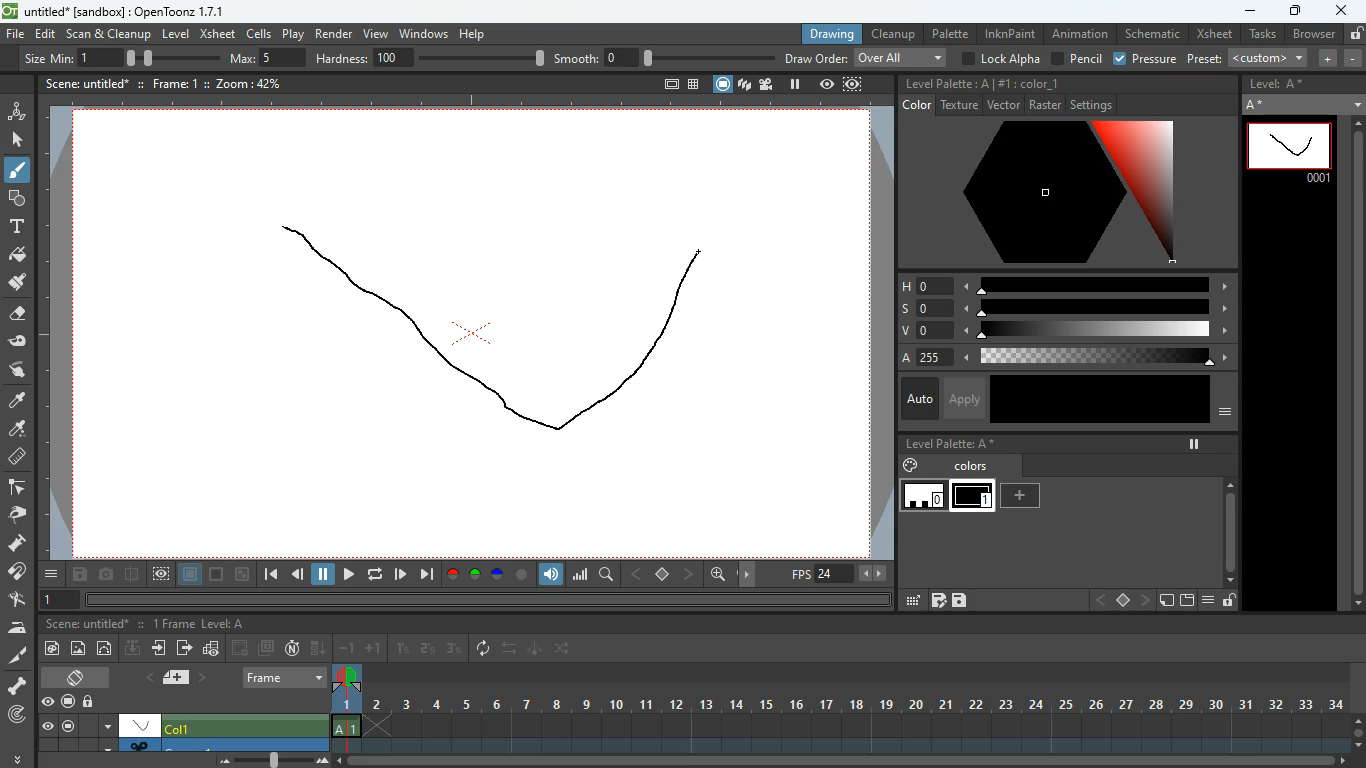 The image size is (1366, 768). What do you see at coordinates (18, 342) in the screenshot?
I see `glue` at bounding box center [18, 342].